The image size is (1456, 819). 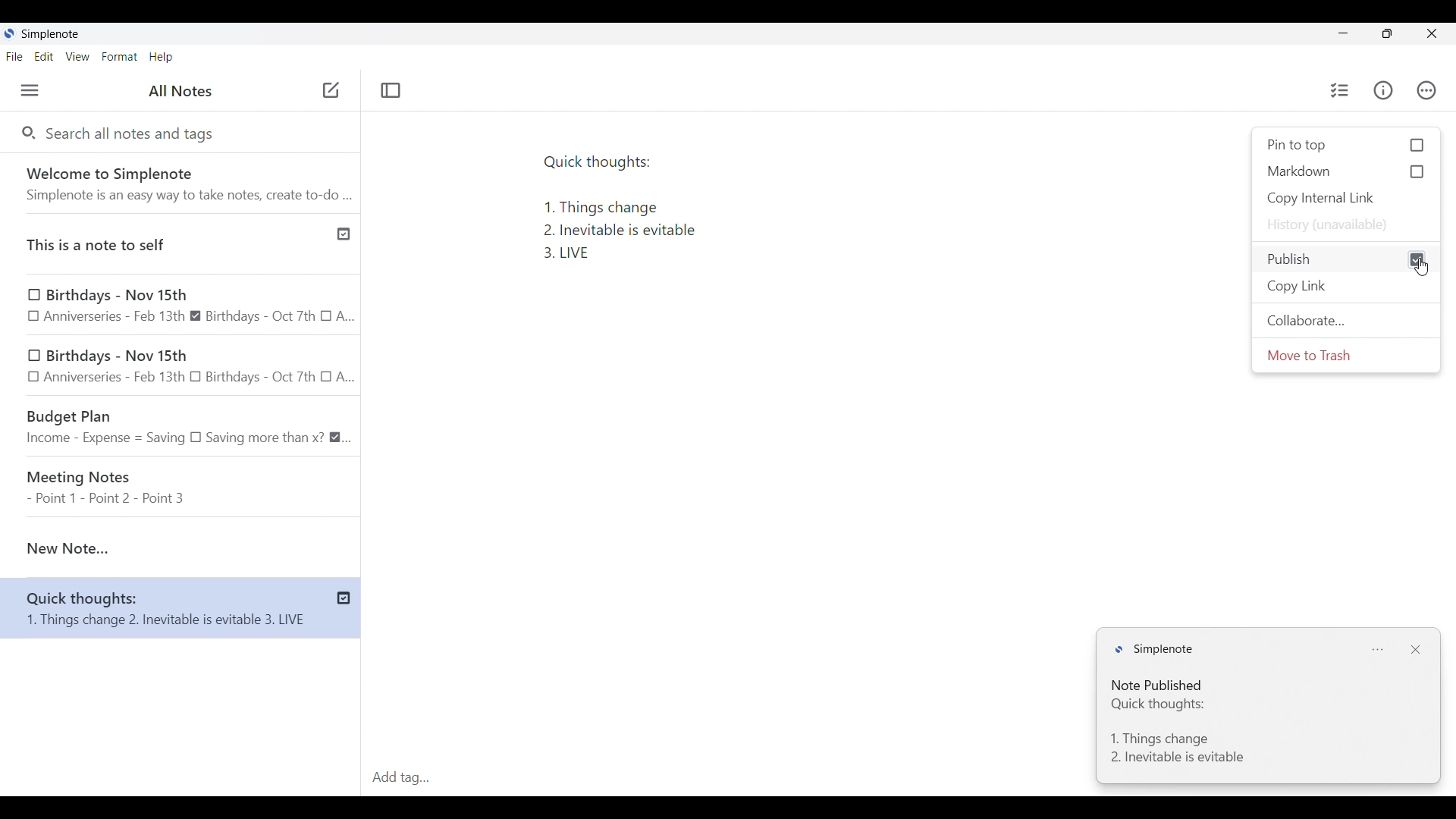 What do you see at coordinates (1412, 253) in the screenshot?
I see `cursor` at bounding box center [1412, 253].